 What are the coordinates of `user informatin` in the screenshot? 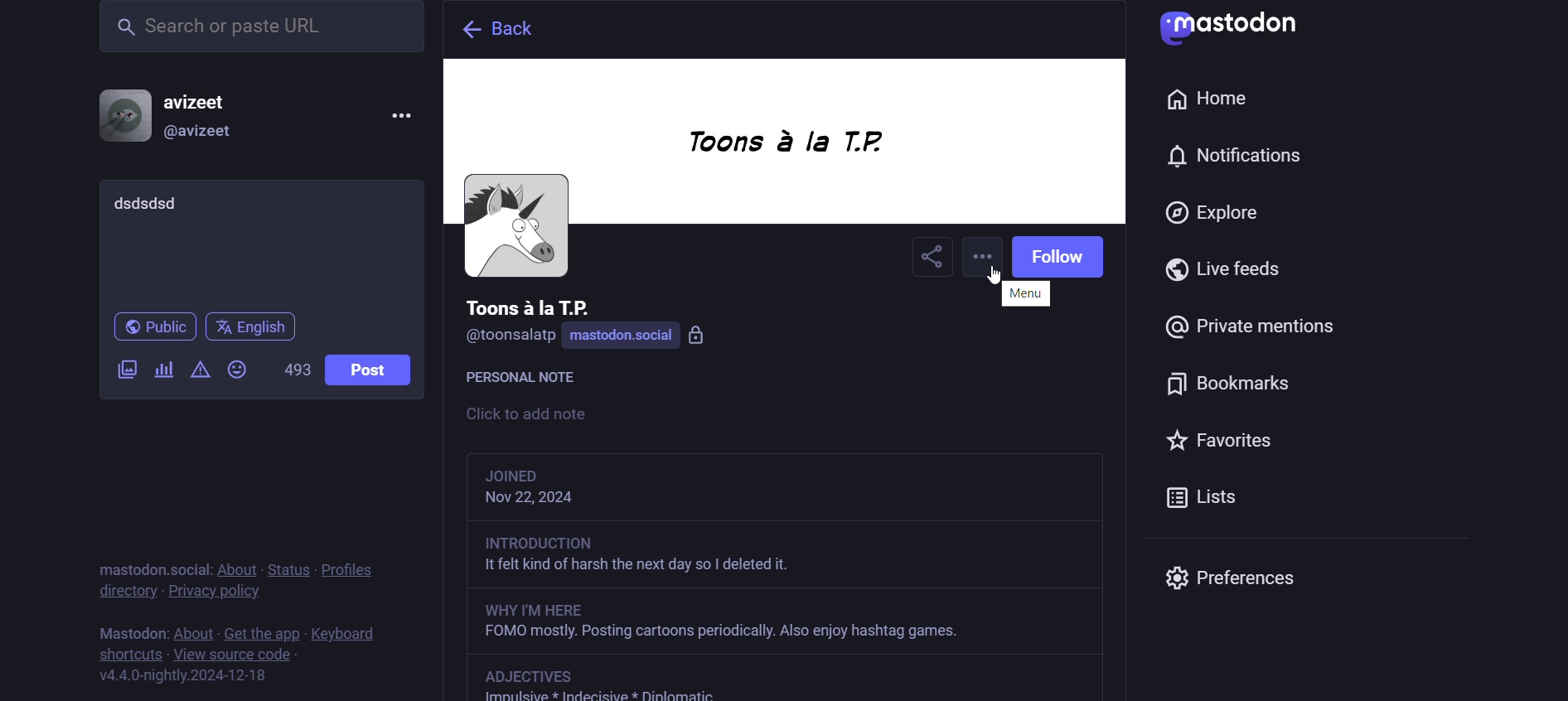 It's located at (791, 488).